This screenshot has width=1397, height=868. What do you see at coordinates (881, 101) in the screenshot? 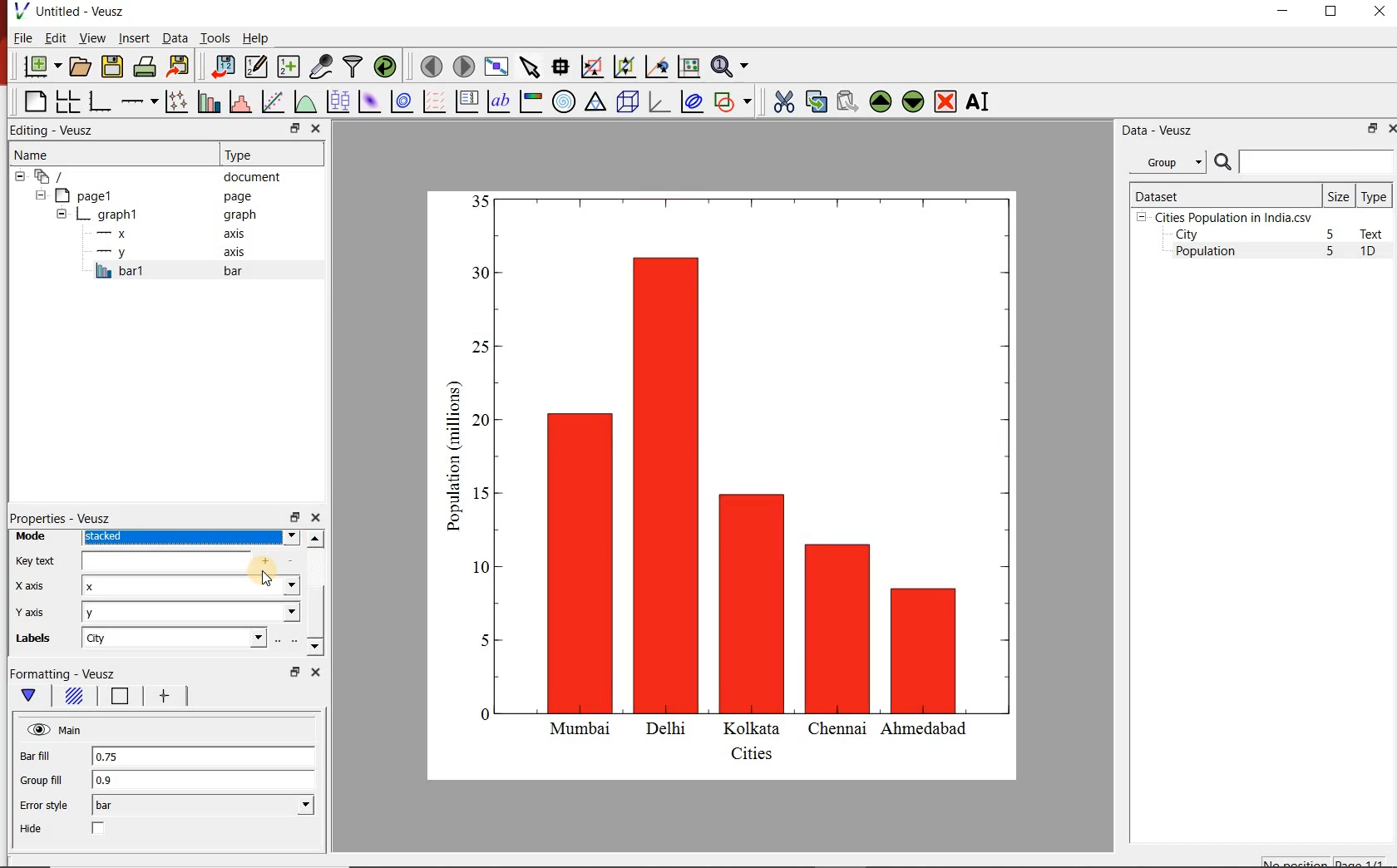
I see `move the selected widget up` at bounding box center [881, 101].